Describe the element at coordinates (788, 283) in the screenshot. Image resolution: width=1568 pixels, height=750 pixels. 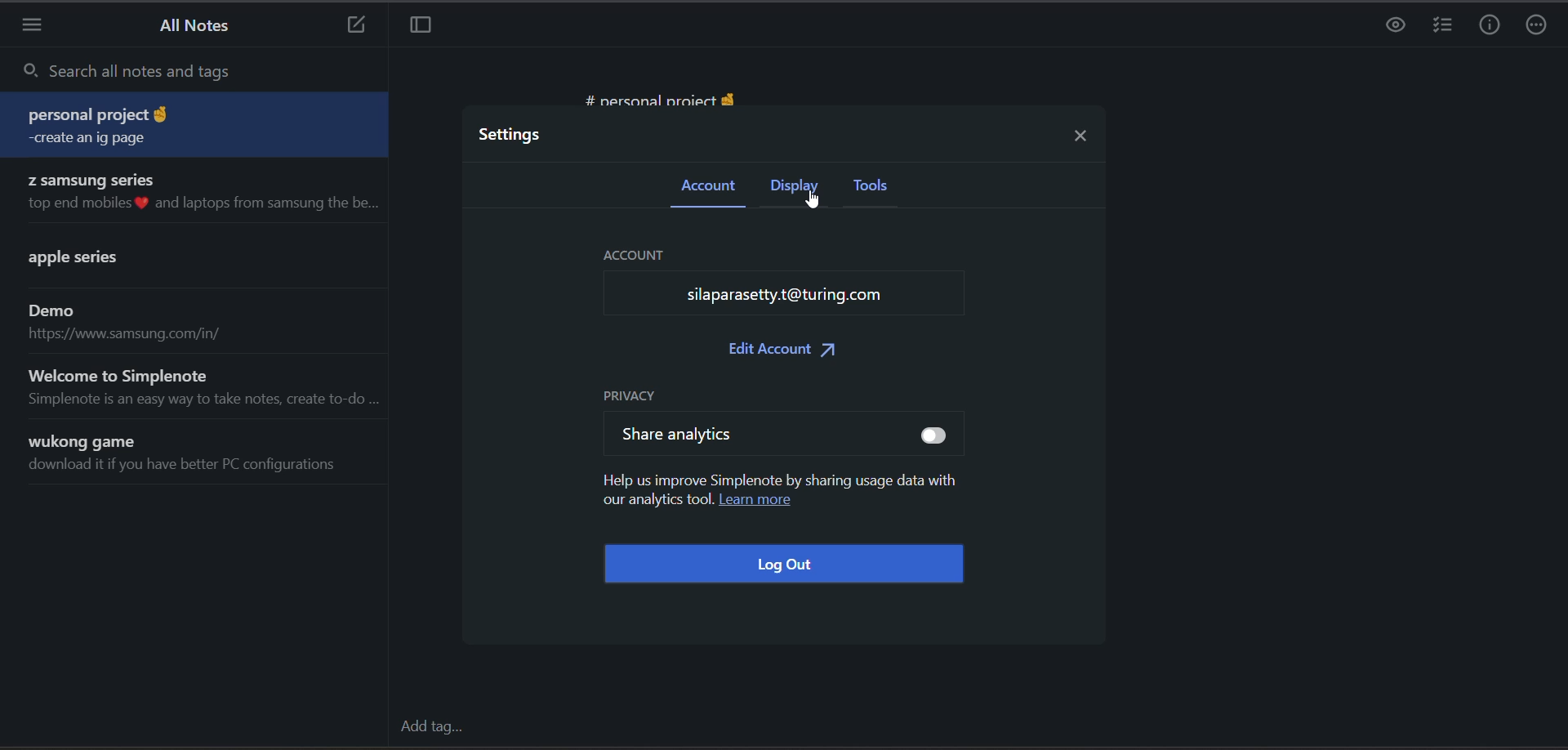
I see `account` at that location.